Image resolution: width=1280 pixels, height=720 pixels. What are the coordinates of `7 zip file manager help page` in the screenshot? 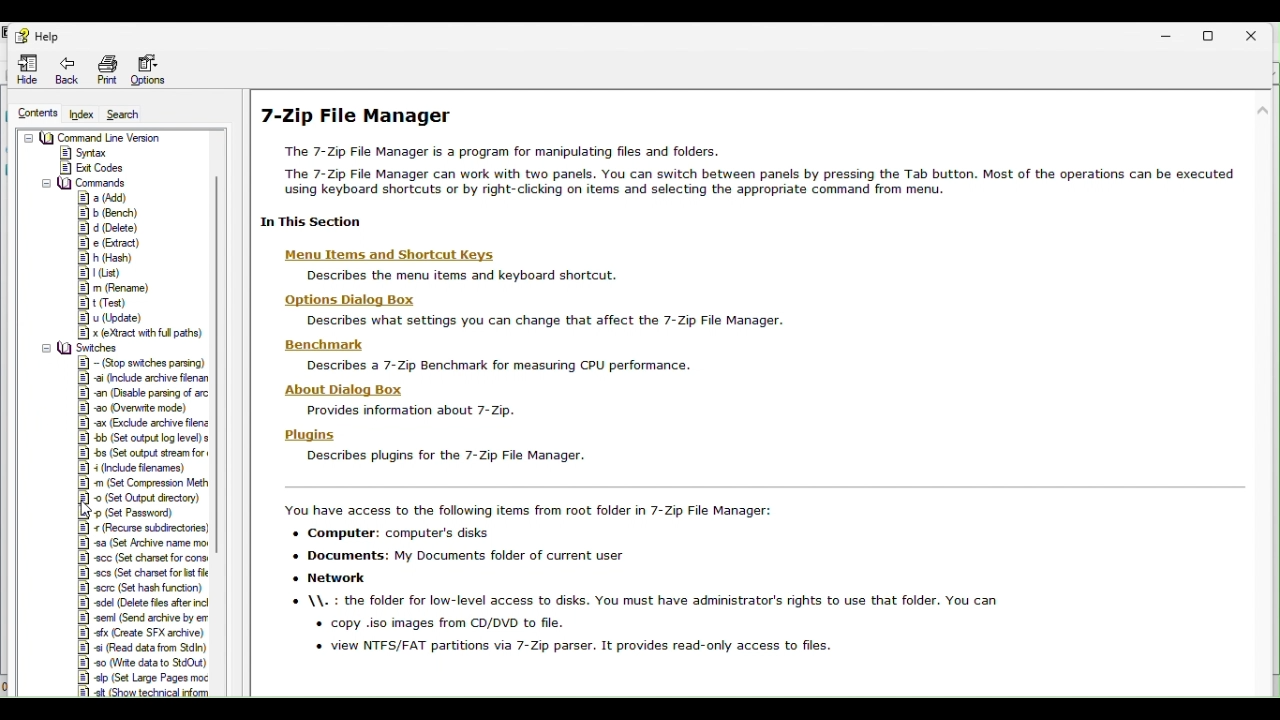 It's located at (750, 159).